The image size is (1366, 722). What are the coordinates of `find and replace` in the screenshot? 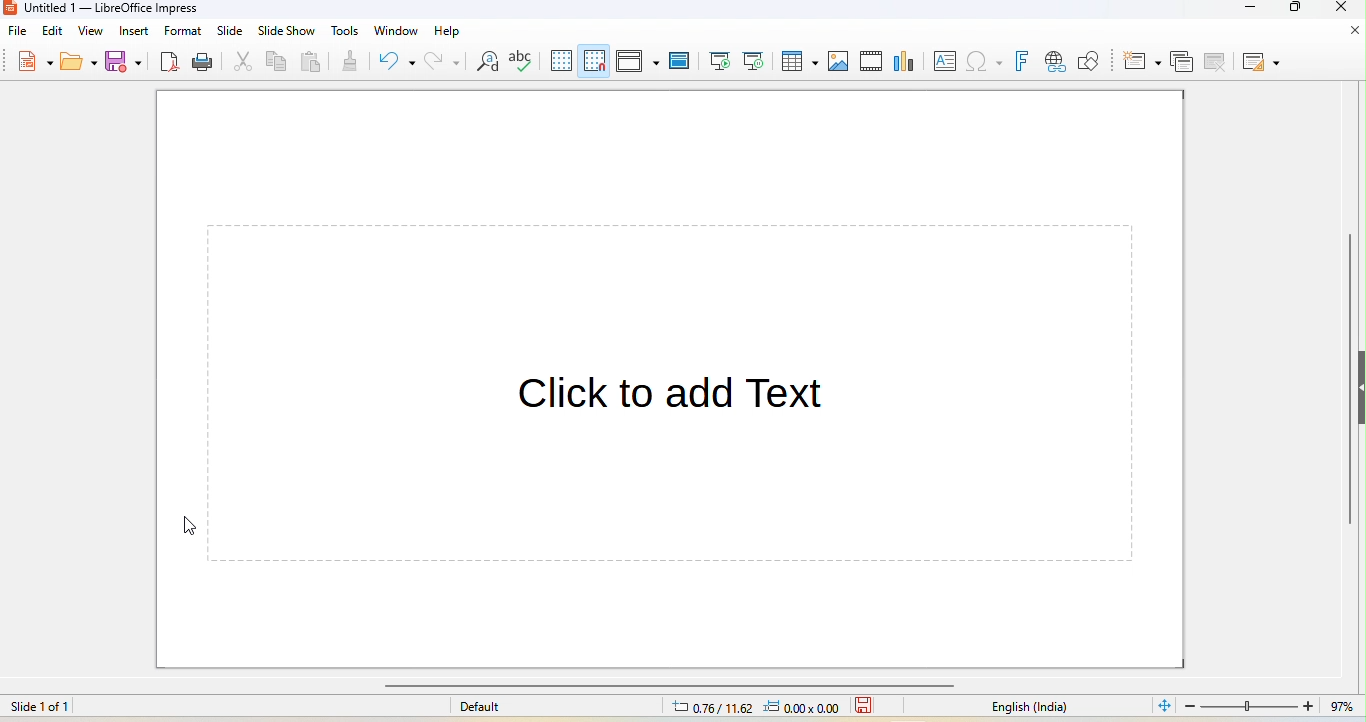 It's located at (487, 61).